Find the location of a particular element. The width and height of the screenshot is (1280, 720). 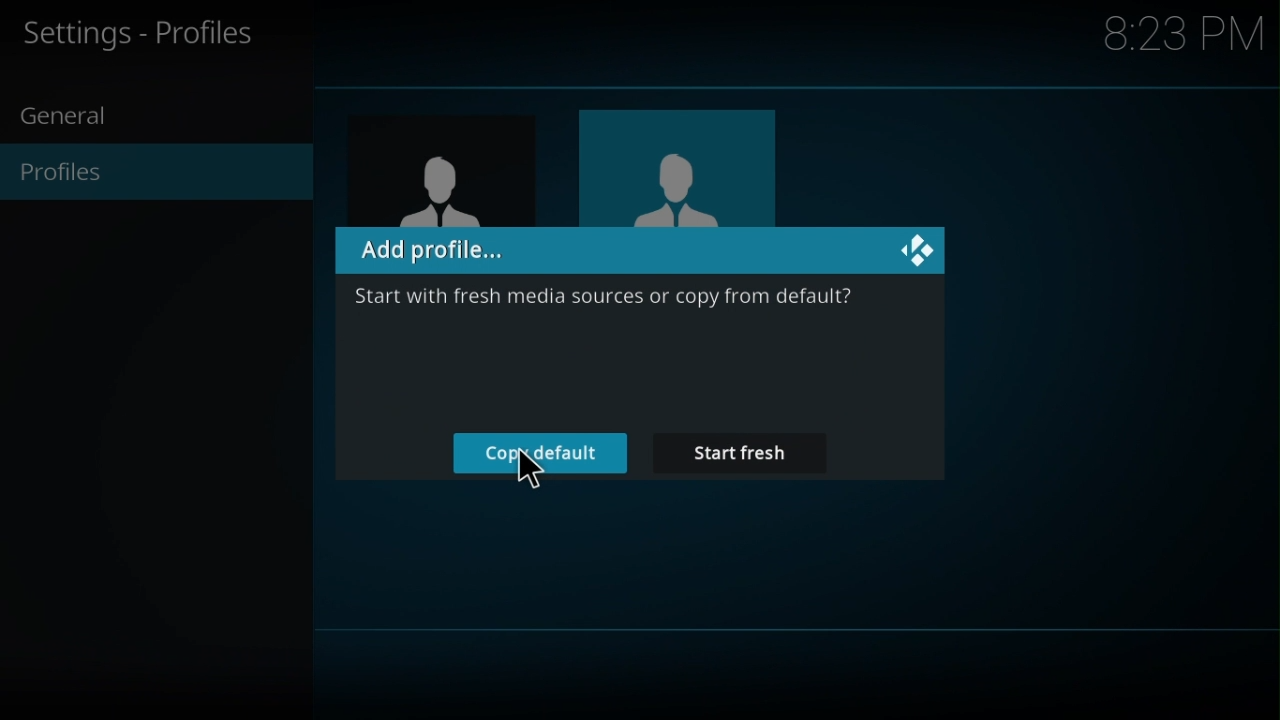

FREE TRIAL EXPIREDcopy default is located at coordinates (540, 454).